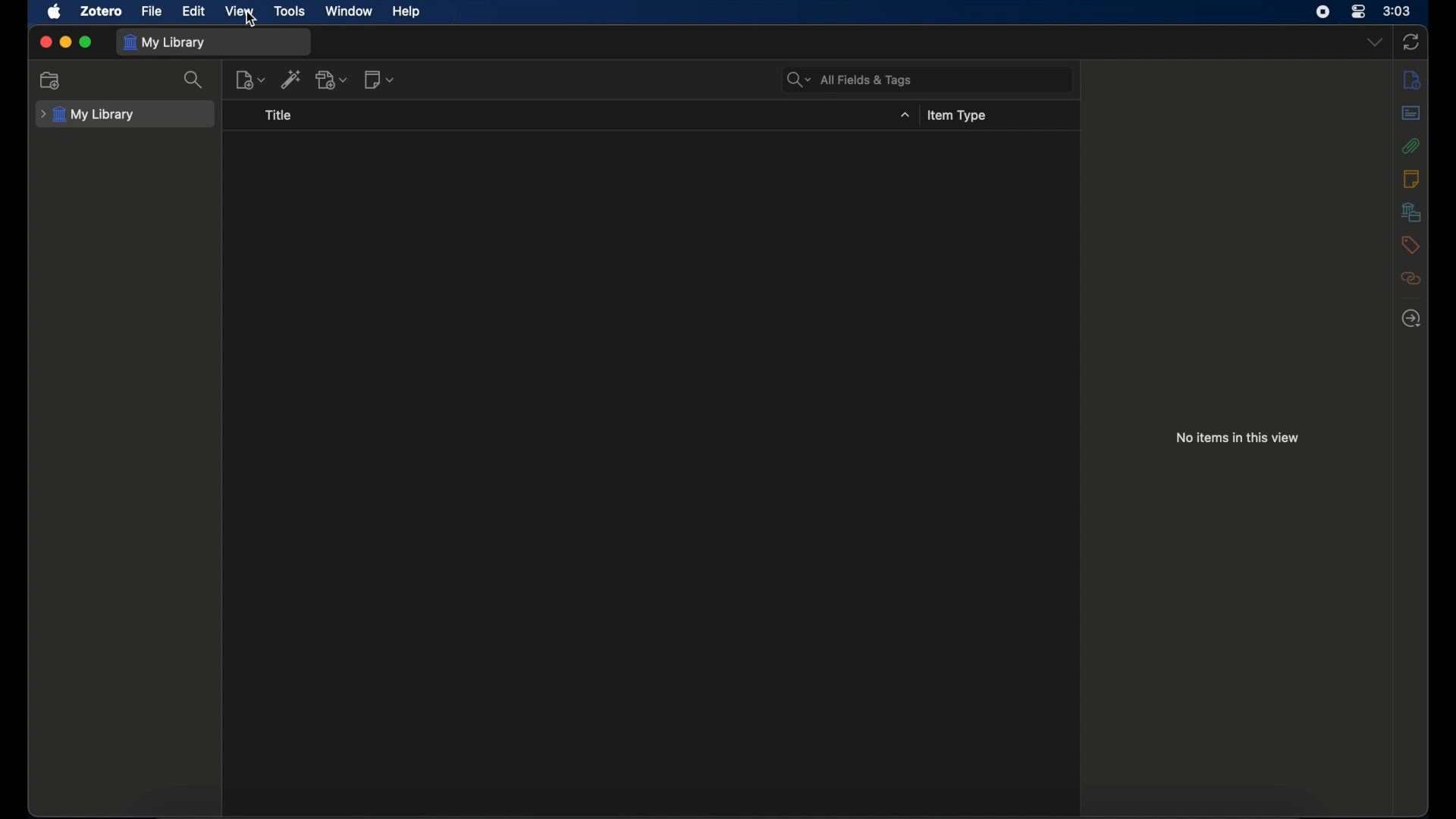 Image resolution: width=1456 pixels, height=819 pixels. Describe the element at coordinates (905, 115) in the screenshot. I see `dropdown` at that location.